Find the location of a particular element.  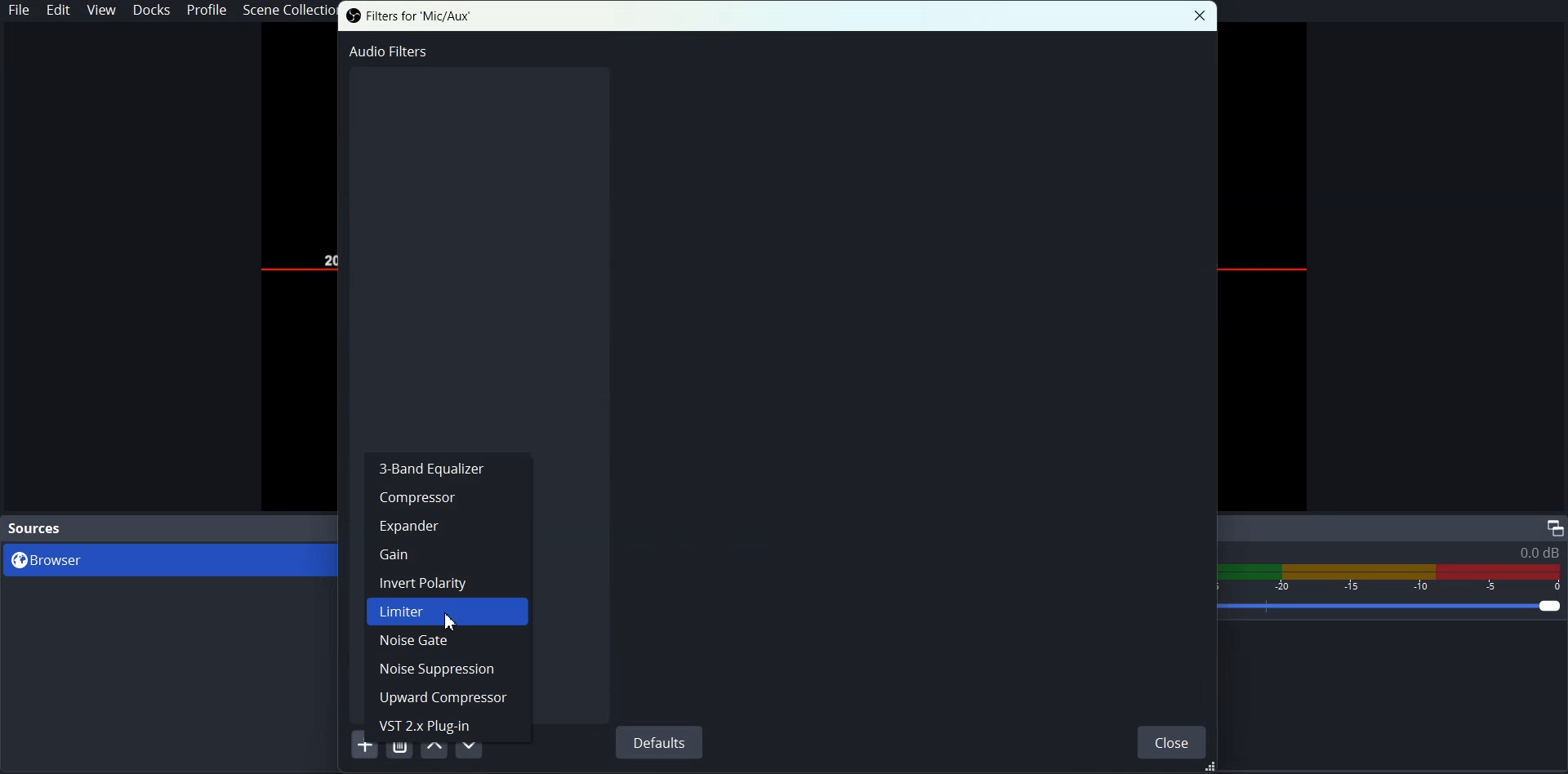

Drag Handle is located at coordinates (1210, 767).